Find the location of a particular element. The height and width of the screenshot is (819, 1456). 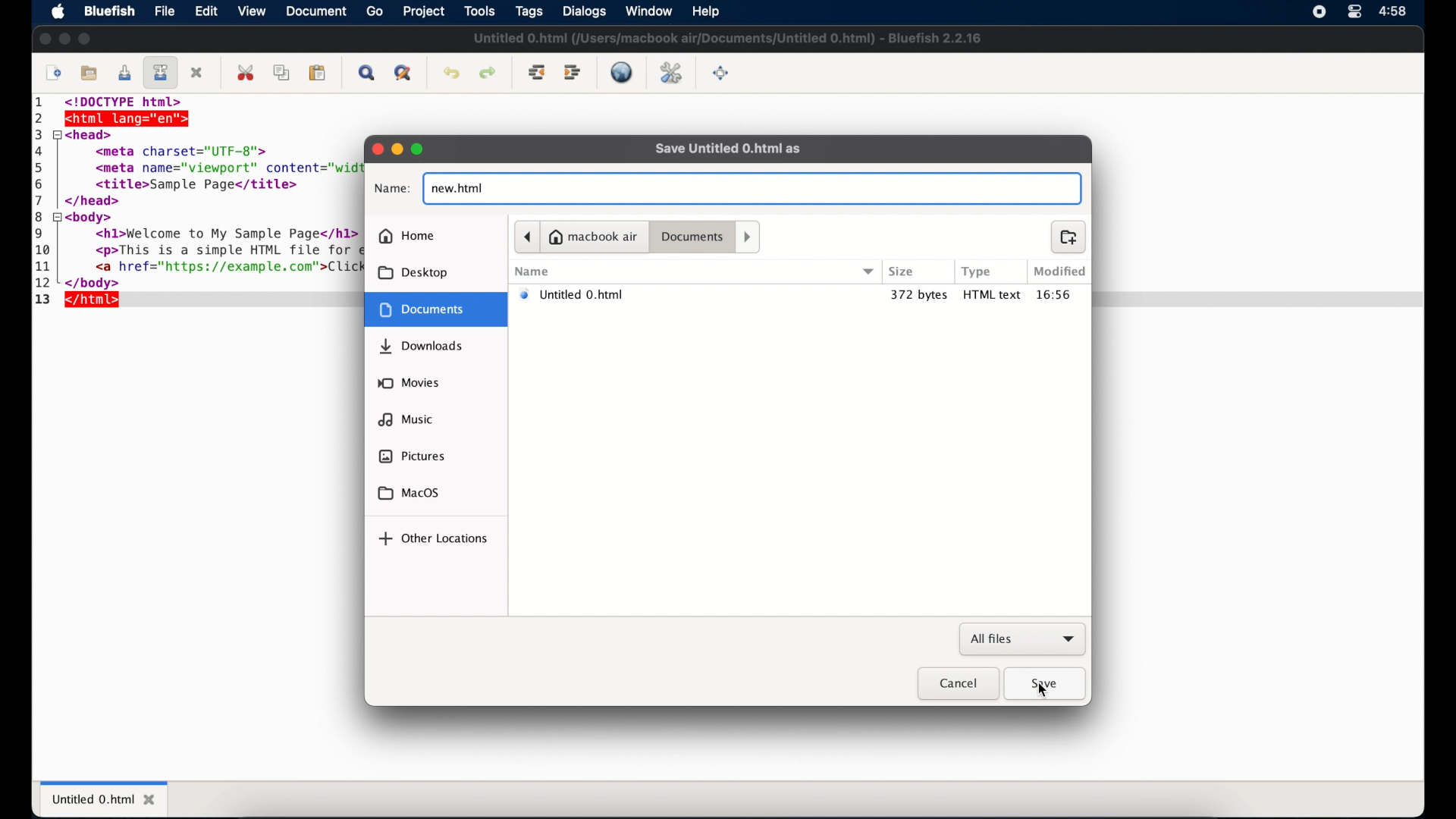

next folder is located at coordinates (748, 237).